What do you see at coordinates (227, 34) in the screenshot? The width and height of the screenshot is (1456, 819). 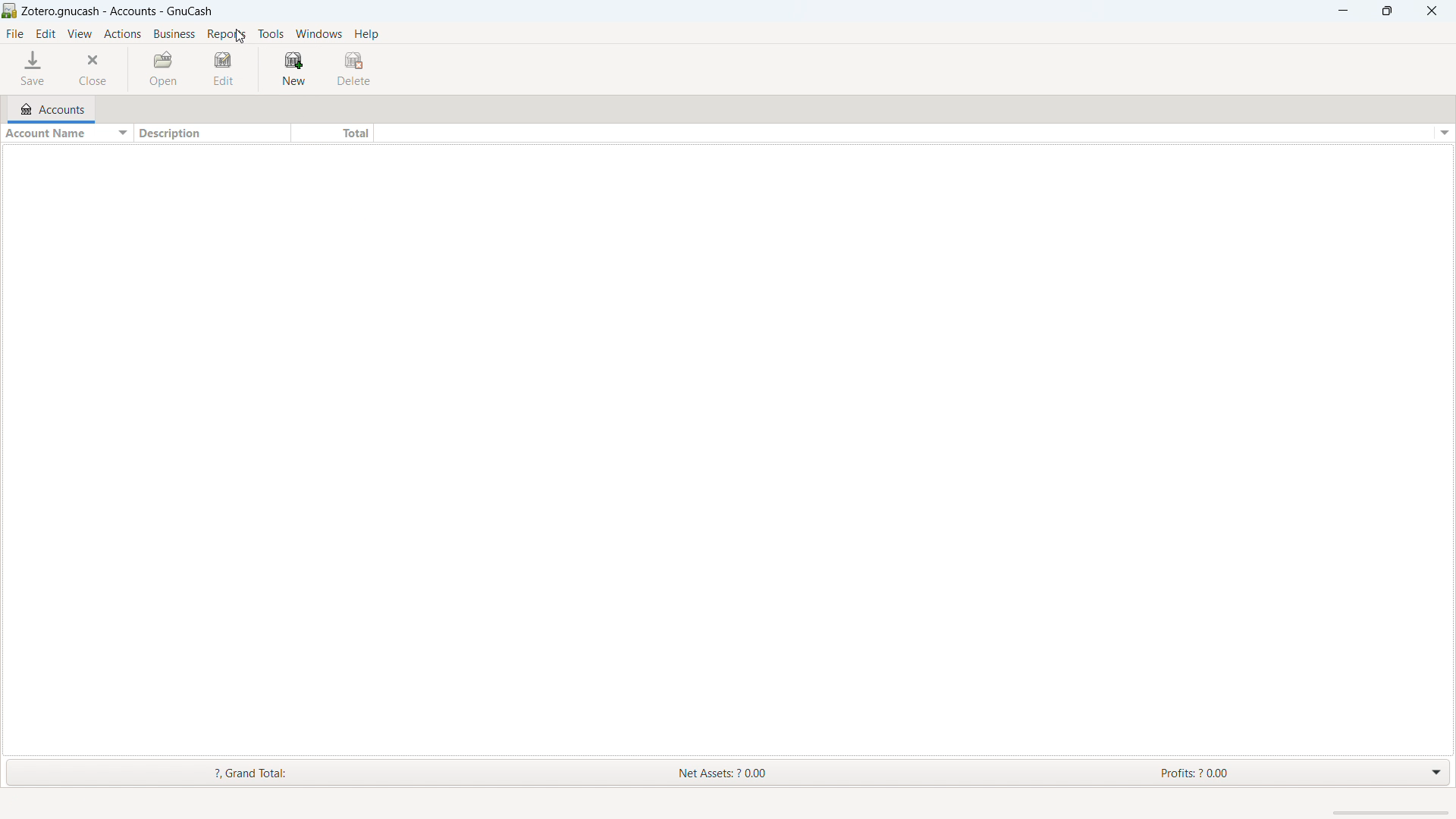 I see `reports` at bounding box center [227, 34].